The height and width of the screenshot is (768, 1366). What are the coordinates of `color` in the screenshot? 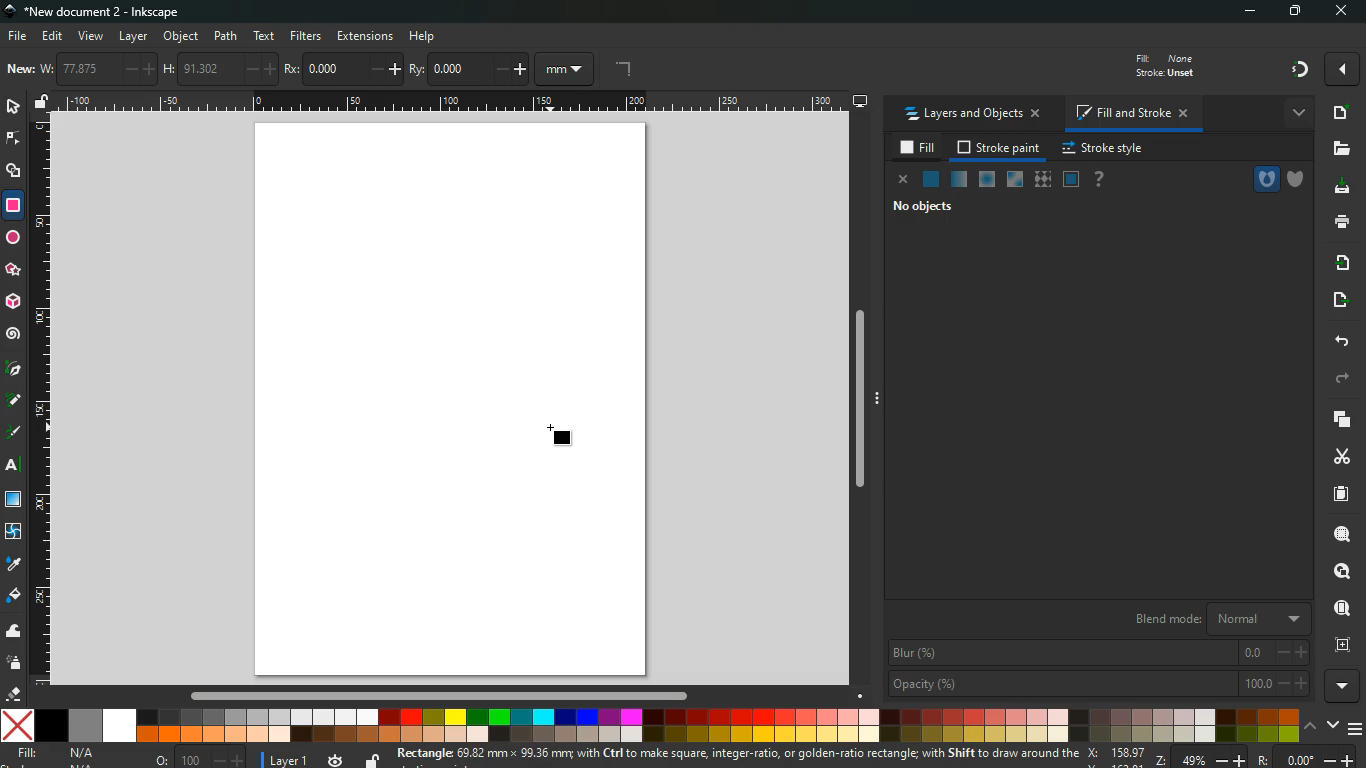 It's located at (651, 725).